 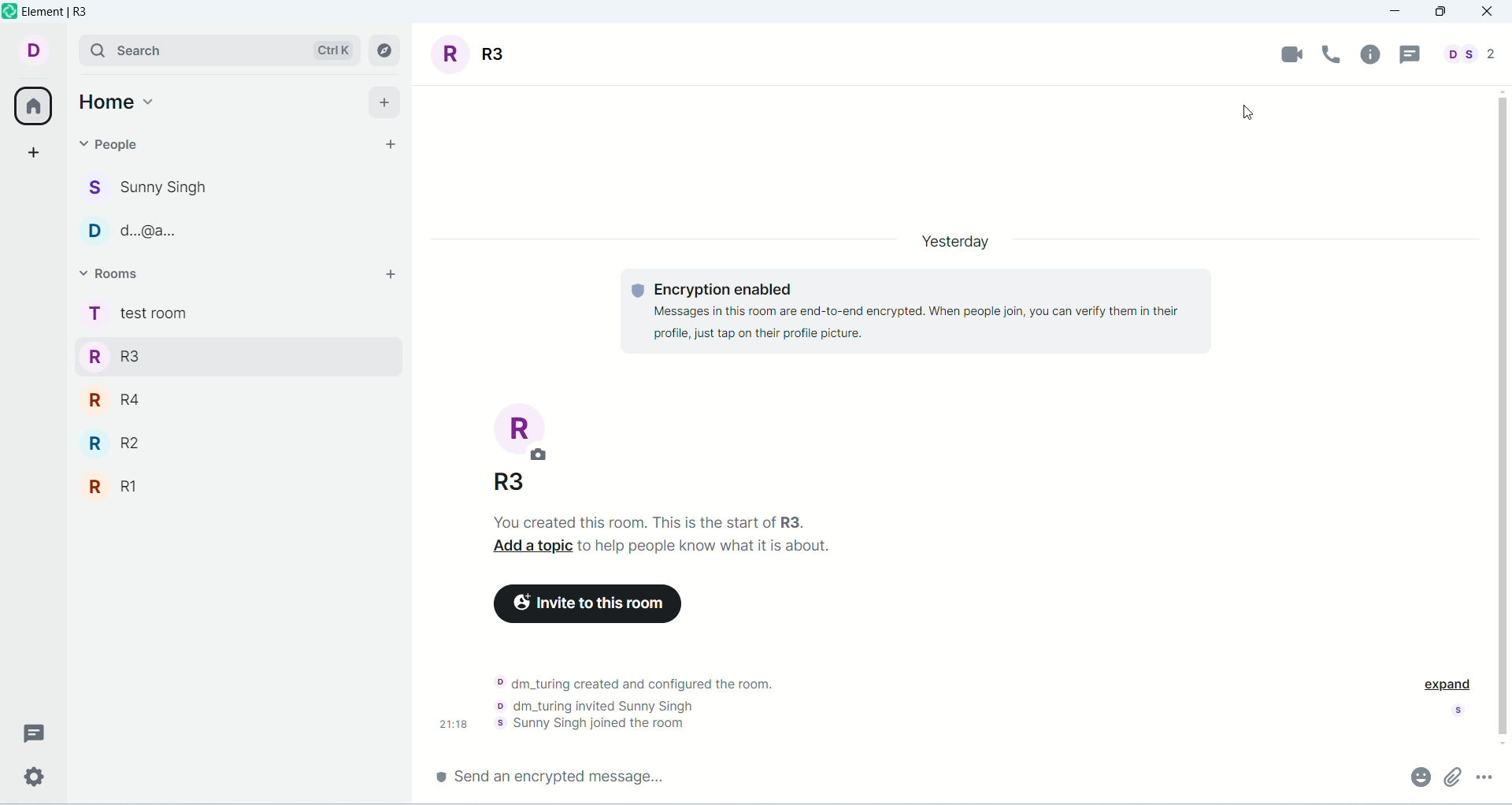 What do you see at coordinates (957, 239) in the screenshot?
I see `day` at bounding box center [957, 239].